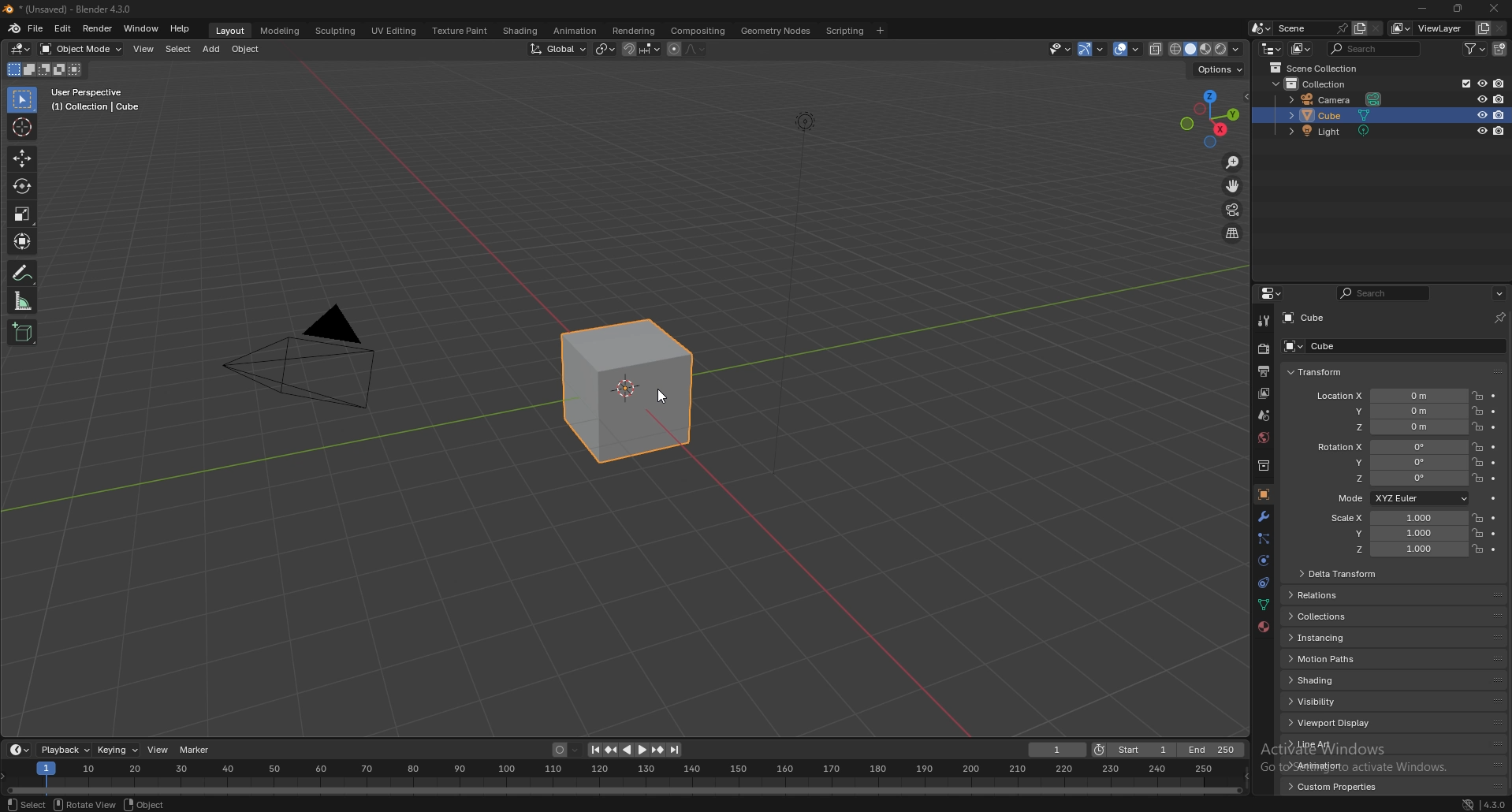 Image resolution: width=1512 pixels, height=812 pixels. Describe the element at coordinates (1494, 463) in the screenshot. I see `animate property` at that location.